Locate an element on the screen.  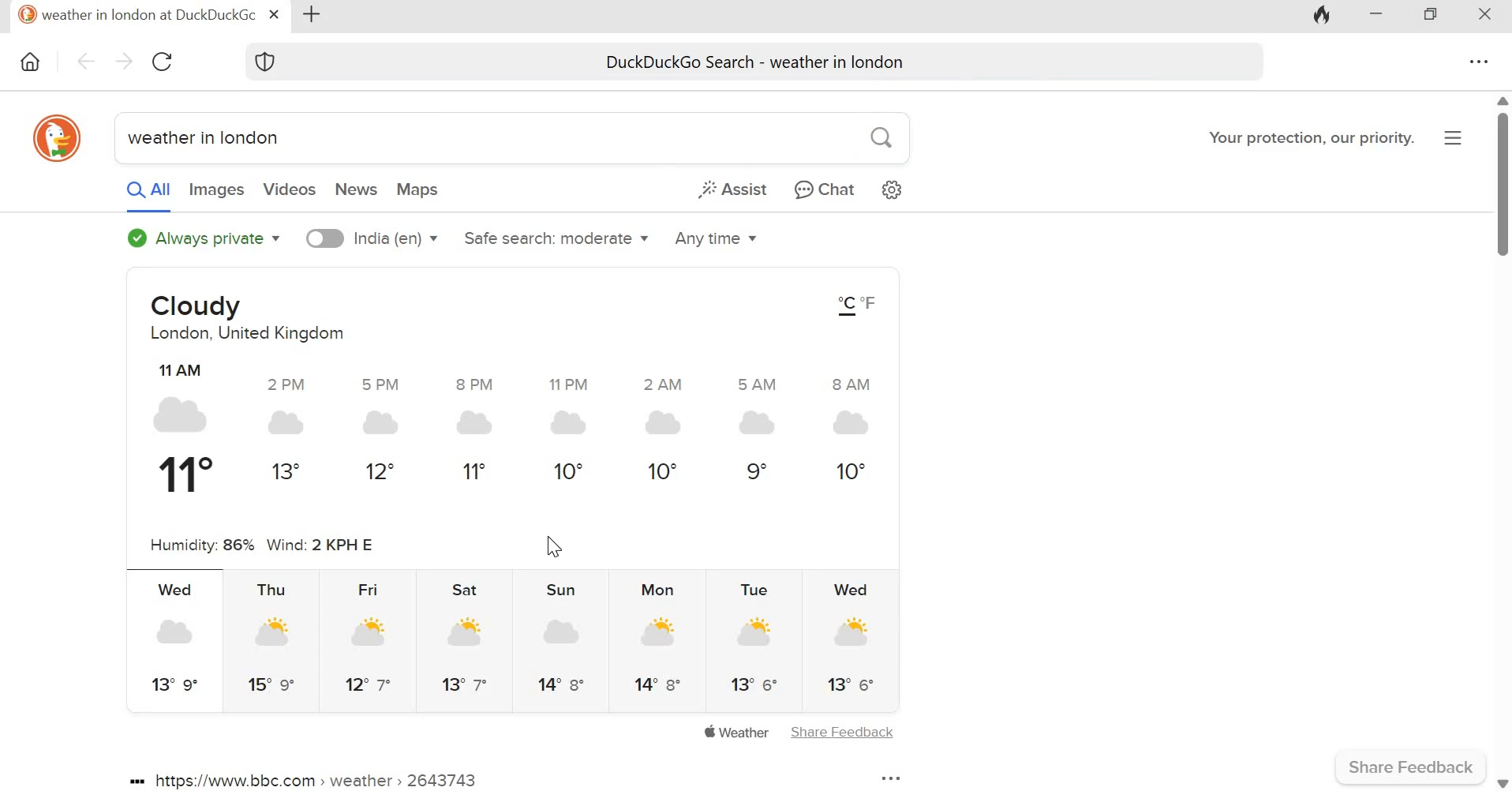
12° 7 is located at coordinates (368, 686).